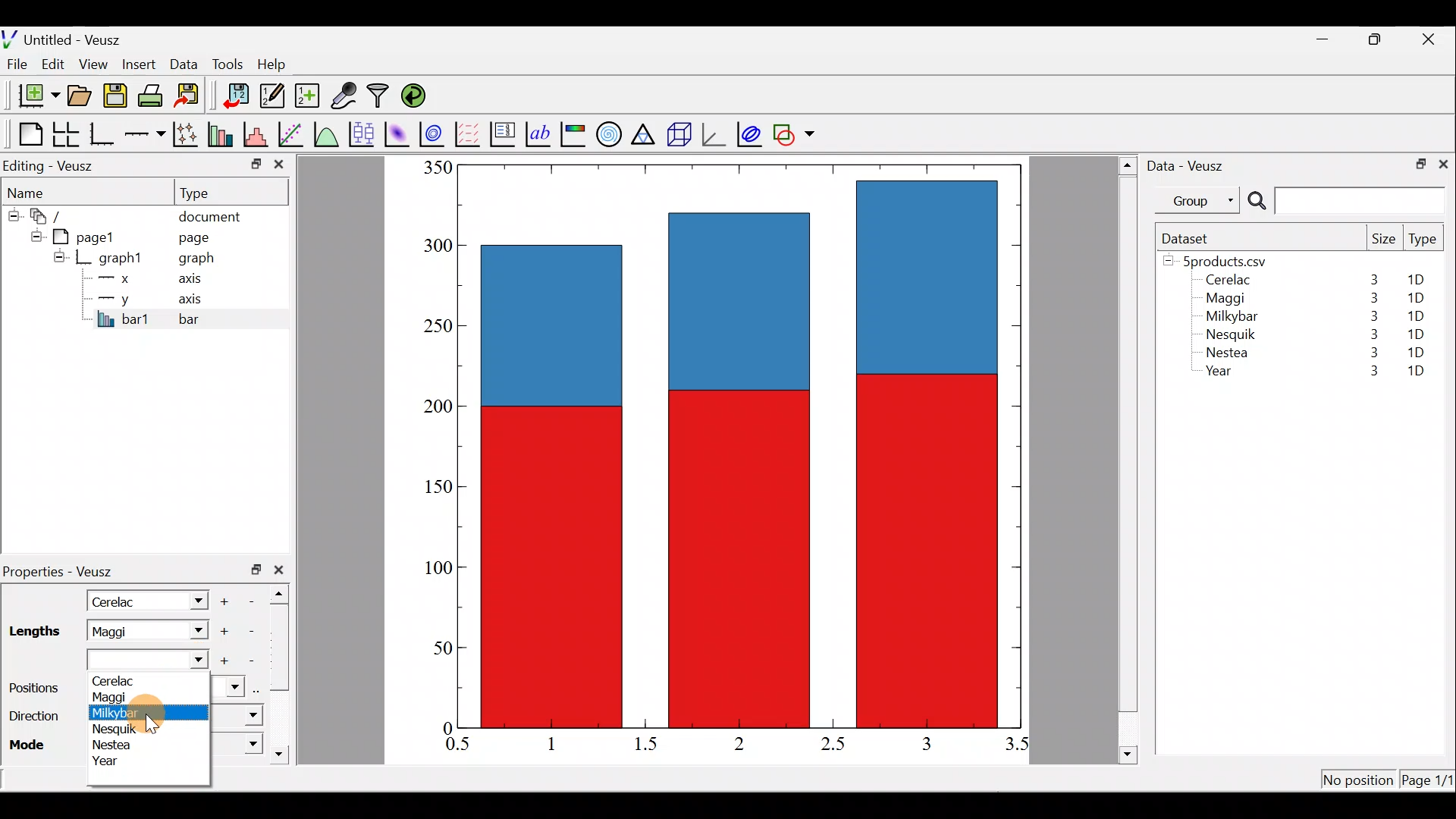  I want to click on 1D, so click(1416, 352).